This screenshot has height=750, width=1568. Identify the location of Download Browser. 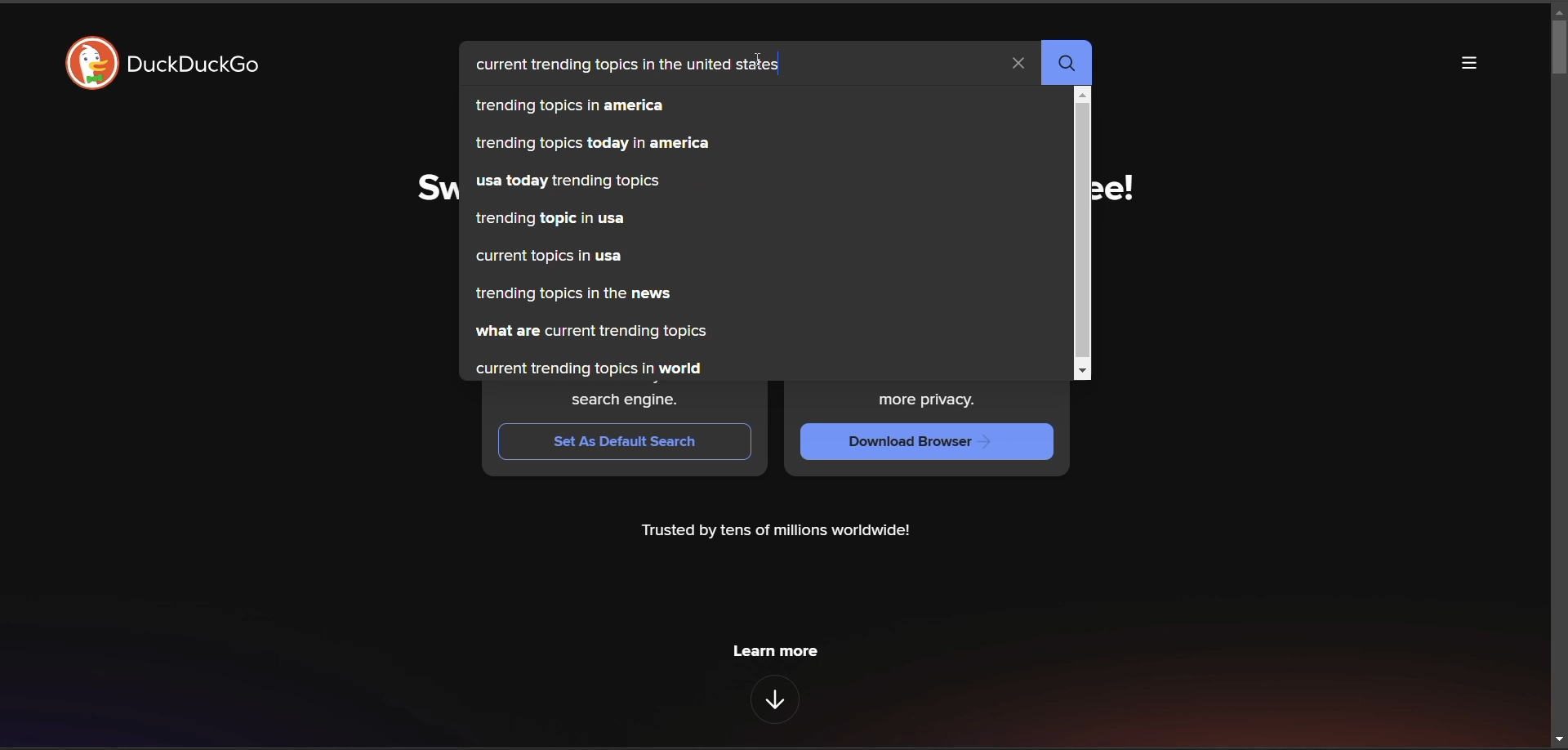
(927, 443).